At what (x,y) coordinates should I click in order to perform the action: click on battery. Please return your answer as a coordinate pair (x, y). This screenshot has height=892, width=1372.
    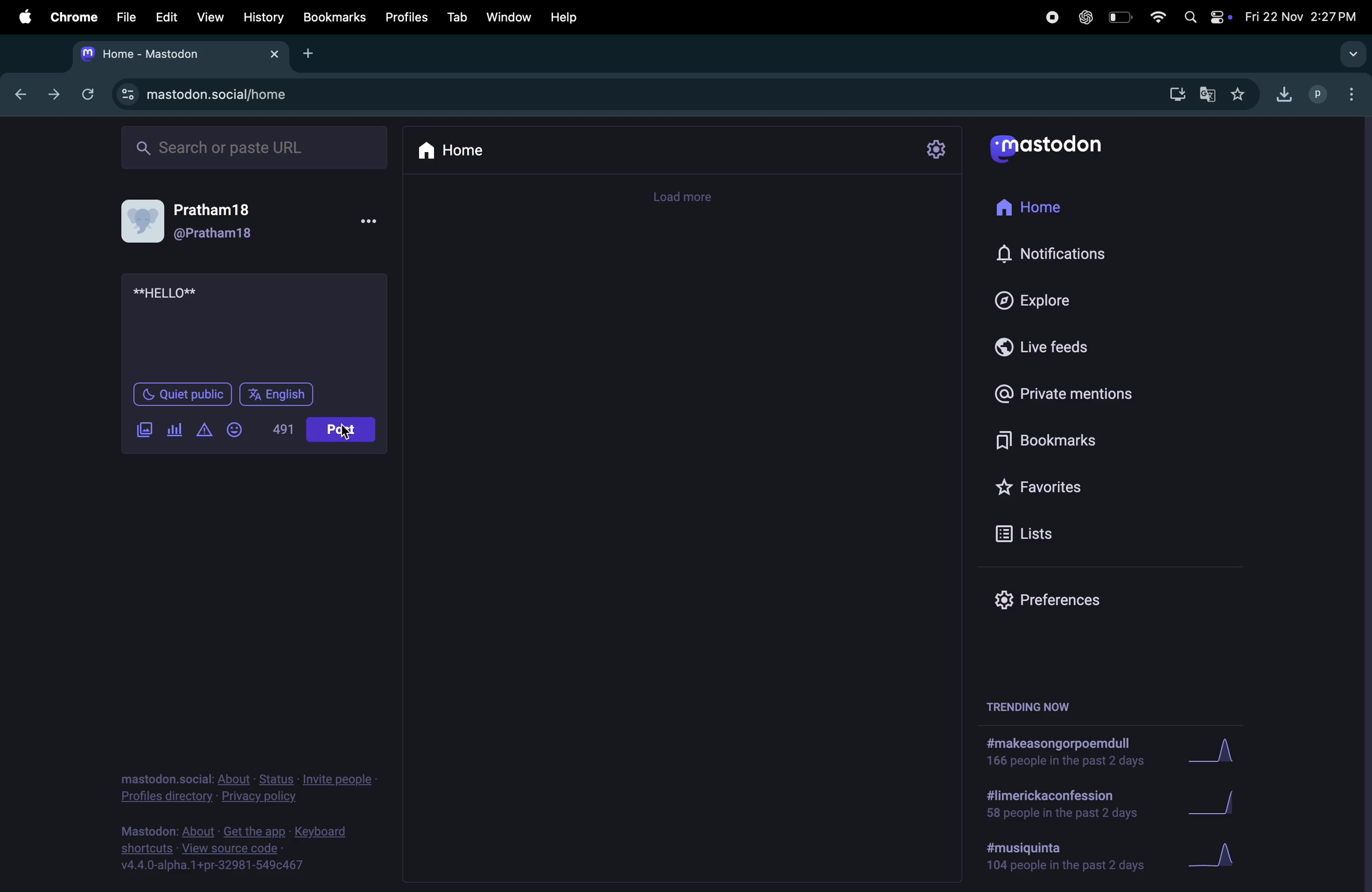
    Looking at the image, I should click on (1123, 18).